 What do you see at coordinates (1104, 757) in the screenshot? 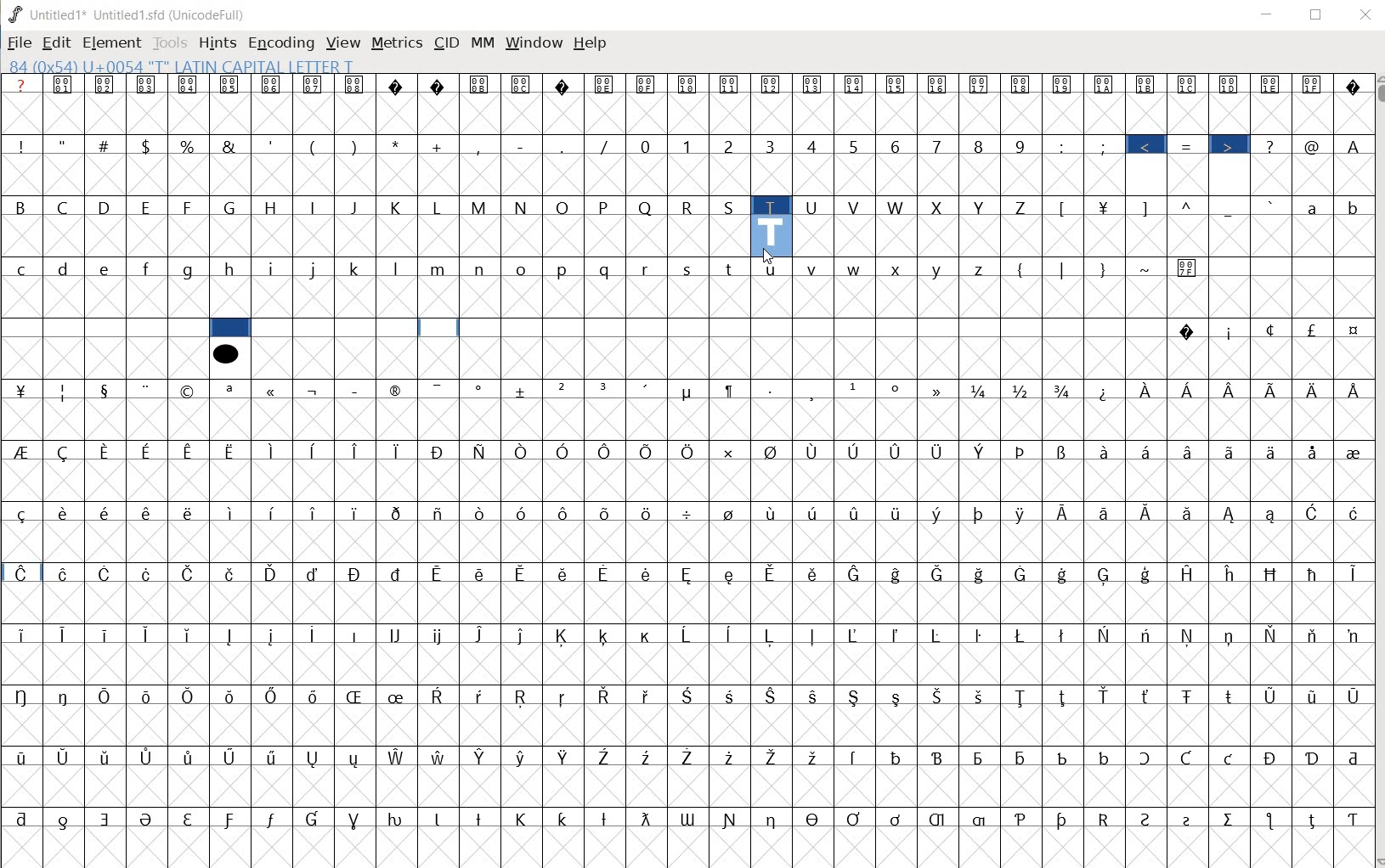
I see `Symbol` at bounding box center [1104, 757].